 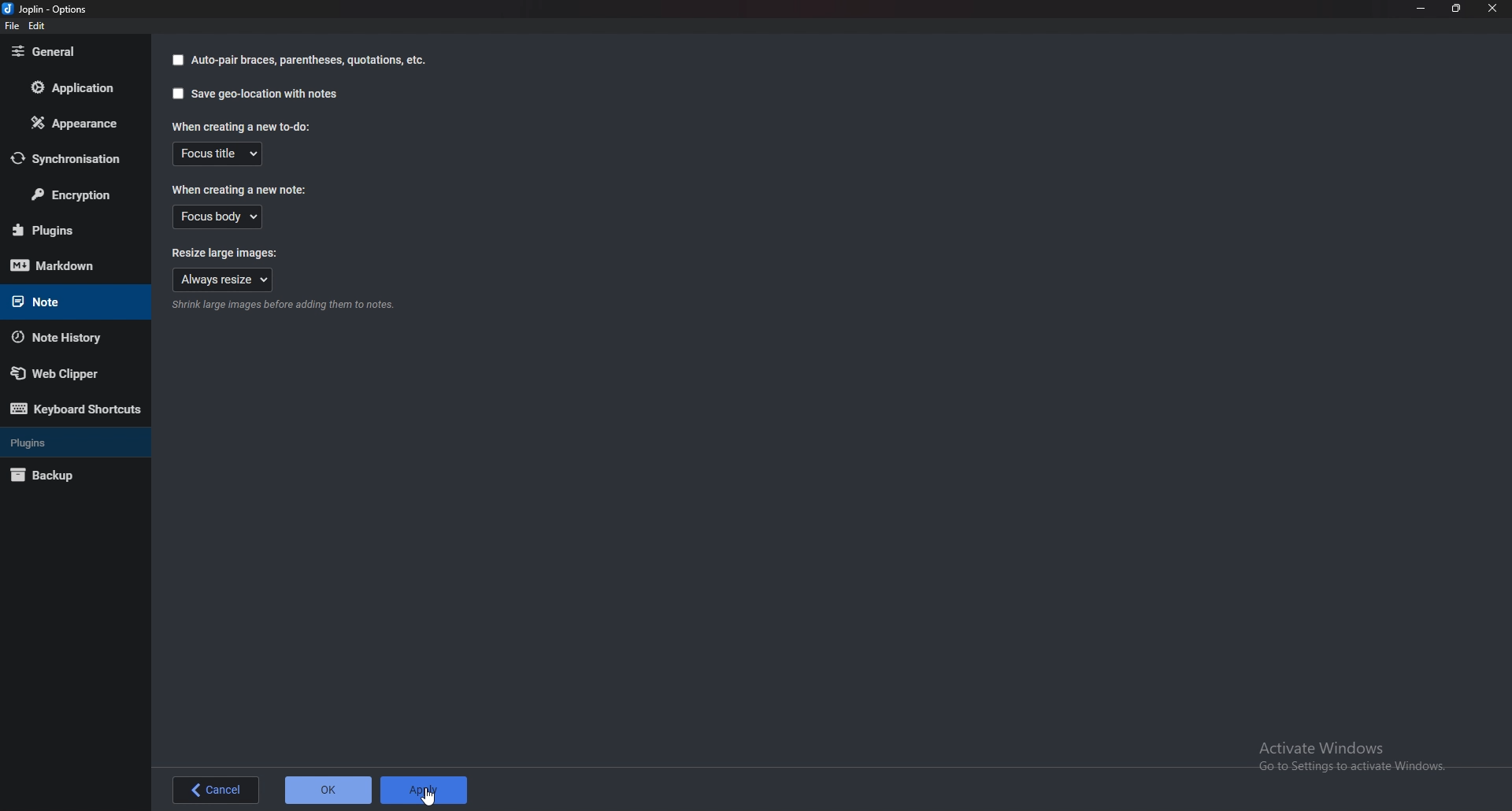 What do you see at coordinates (68, 158) in the screenshot?
I see `Synchronization` at bounding box center [68, 158].